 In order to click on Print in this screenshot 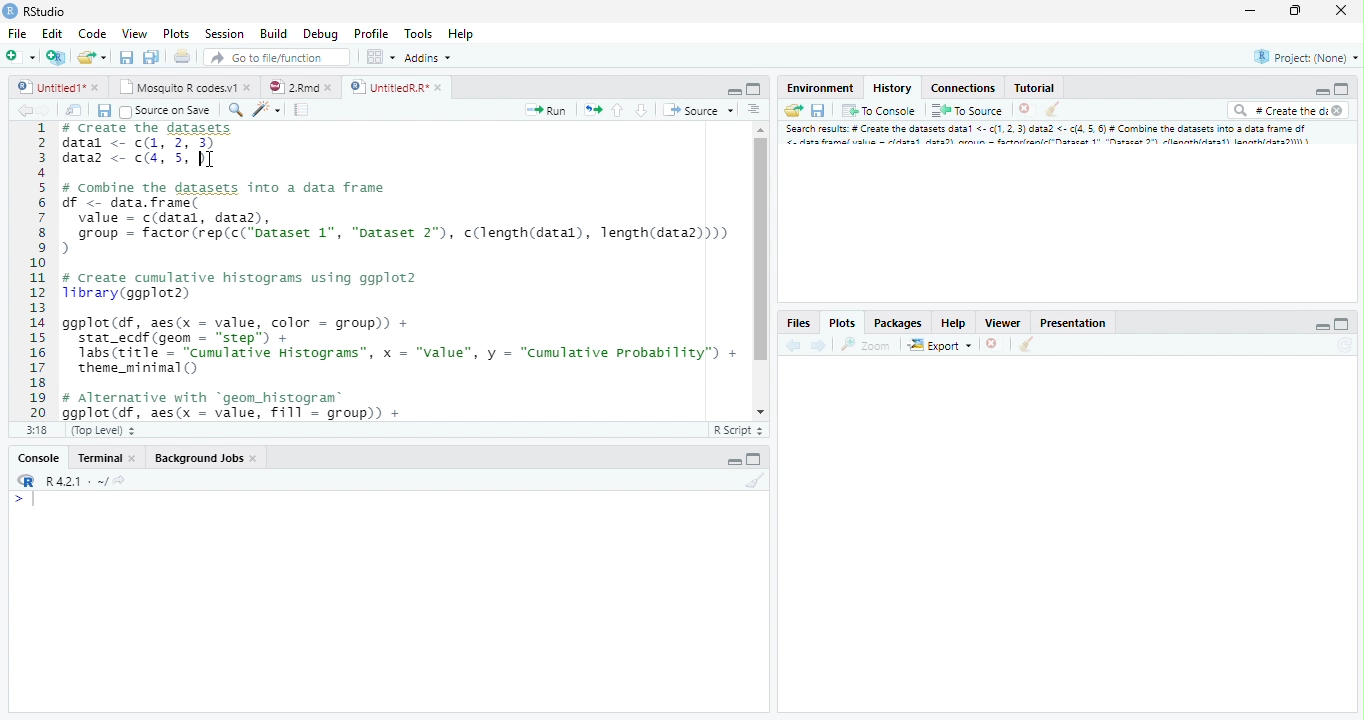, I will do `click(185, 57)`.